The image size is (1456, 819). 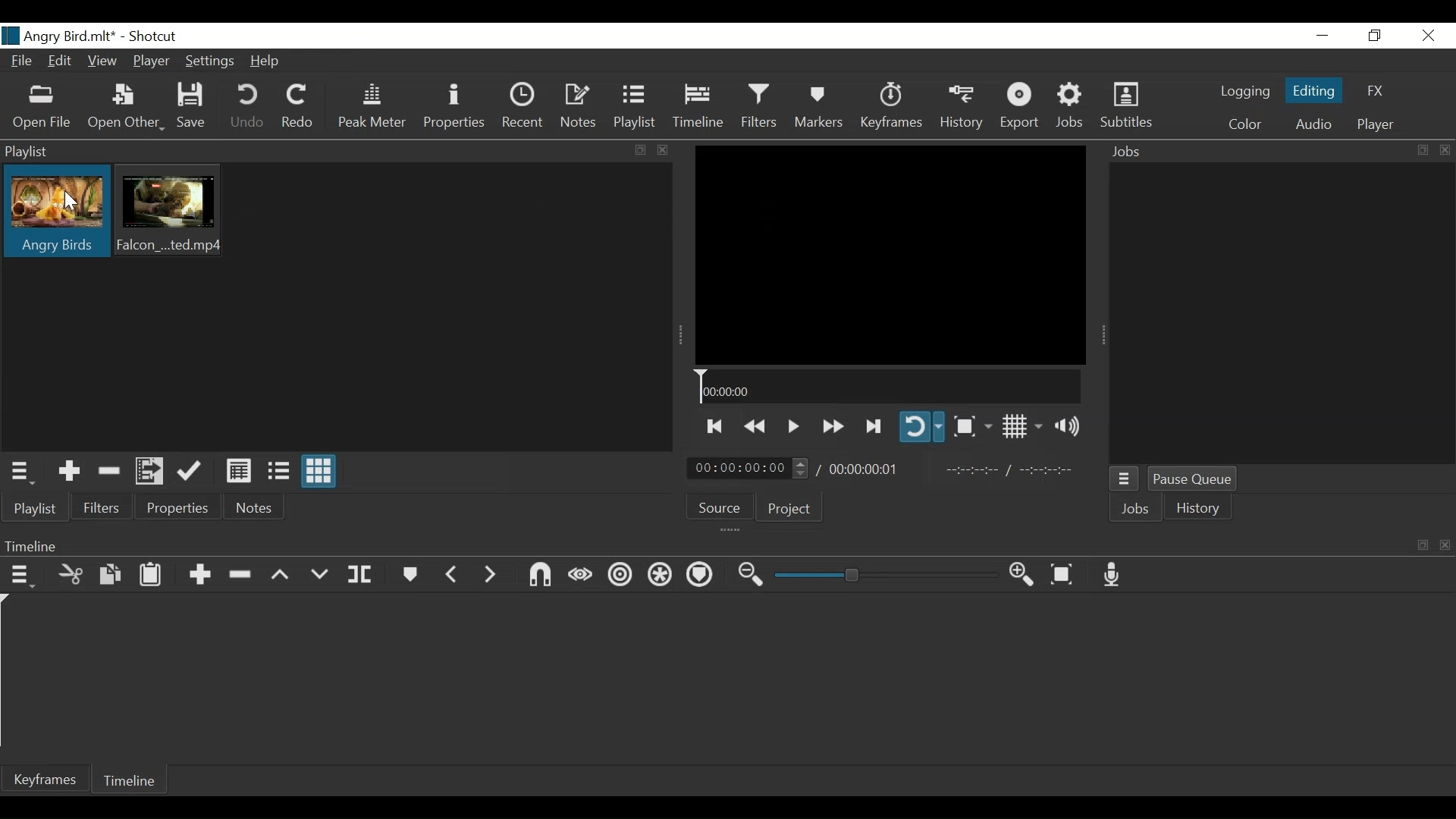 I want to click on Filters, so click(x=104, y=509).